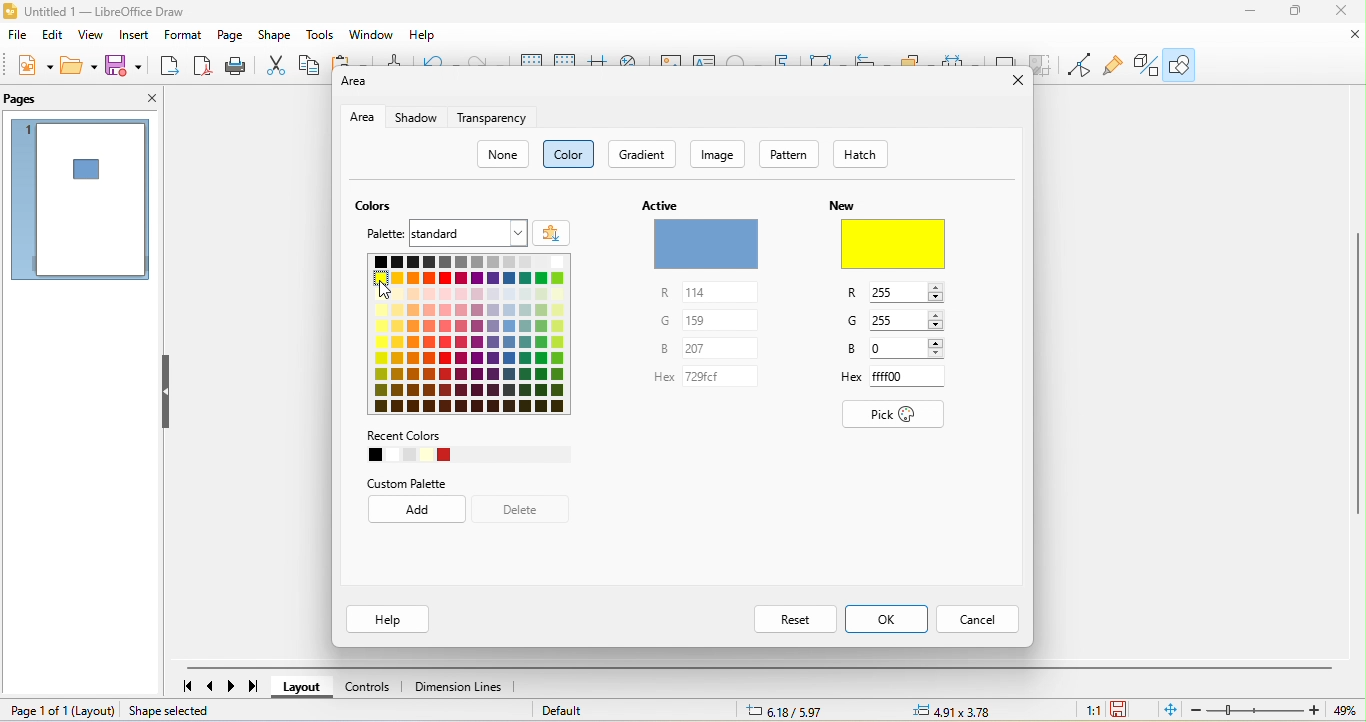 This screenshot has height=722, width=1366. What do you see at coordinates (380, 291) in the screenshot?
I see `cursor movement` at bounding box center [380, 291].